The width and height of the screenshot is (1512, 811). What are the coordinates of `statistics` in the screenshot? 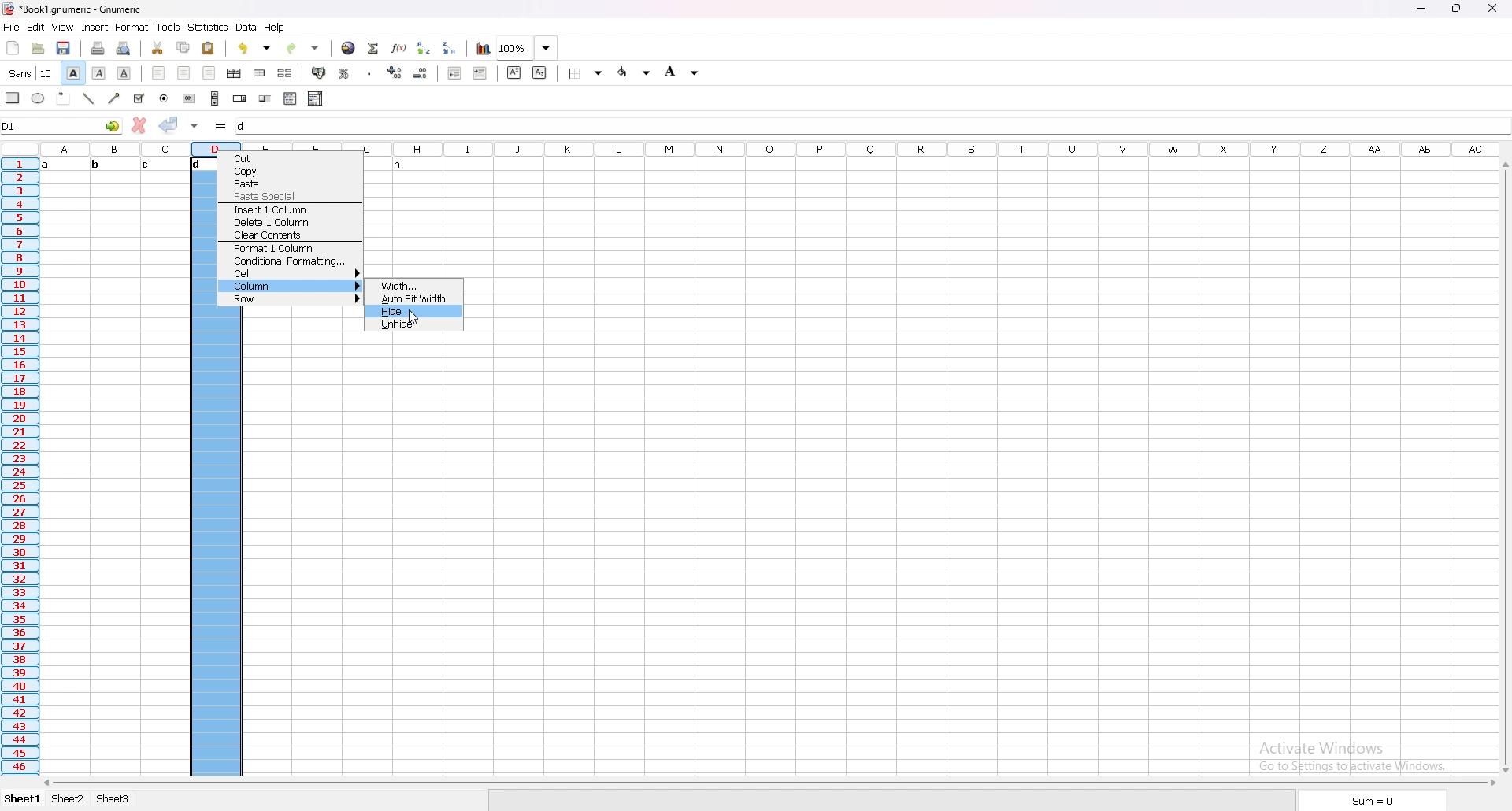 It's located at (209, 28).